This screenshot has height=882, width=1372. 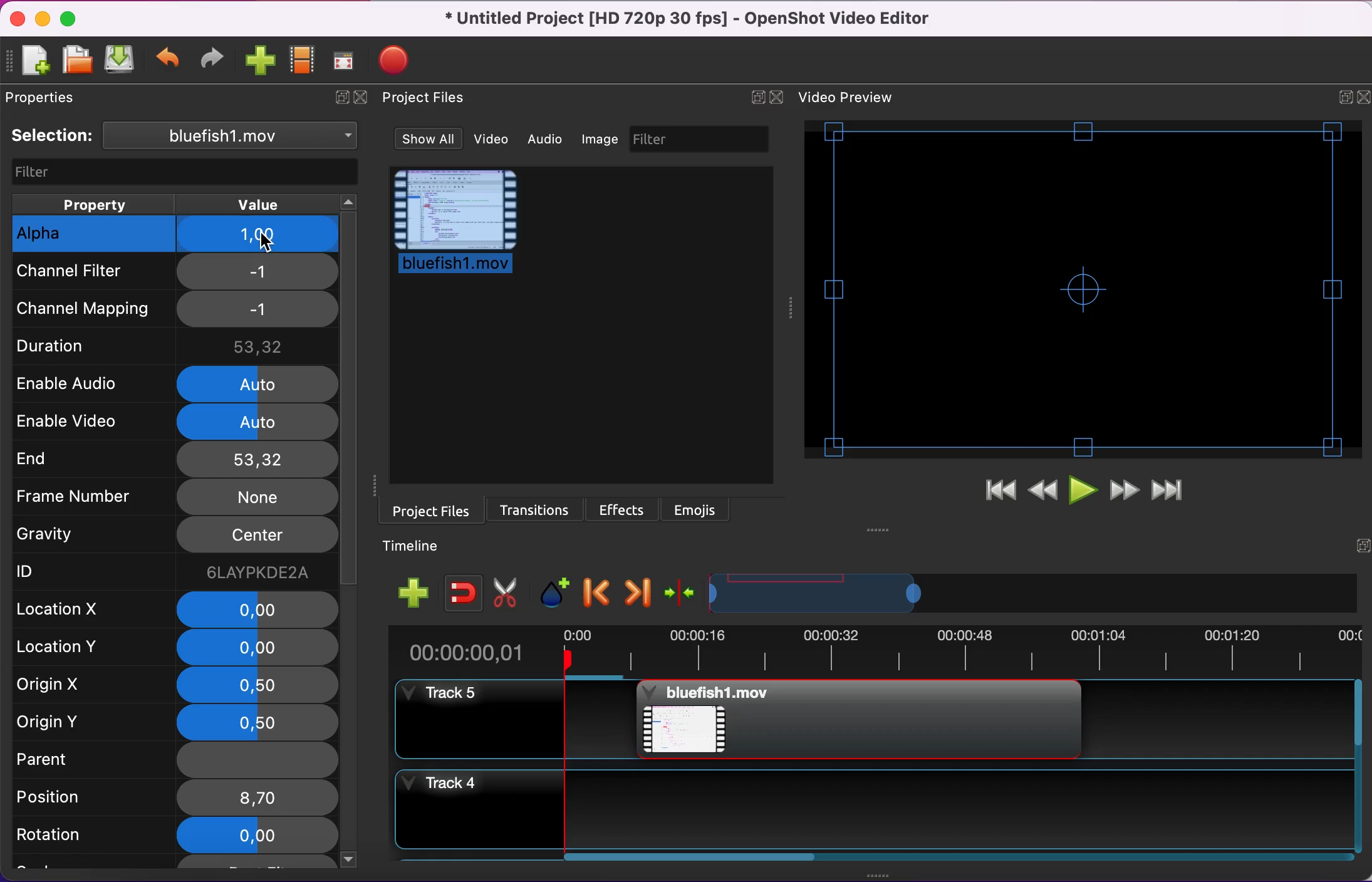 What do you see at coordinates (42, 19) in the screenshot?
I see `minimize` at bounding box center [42, 19].